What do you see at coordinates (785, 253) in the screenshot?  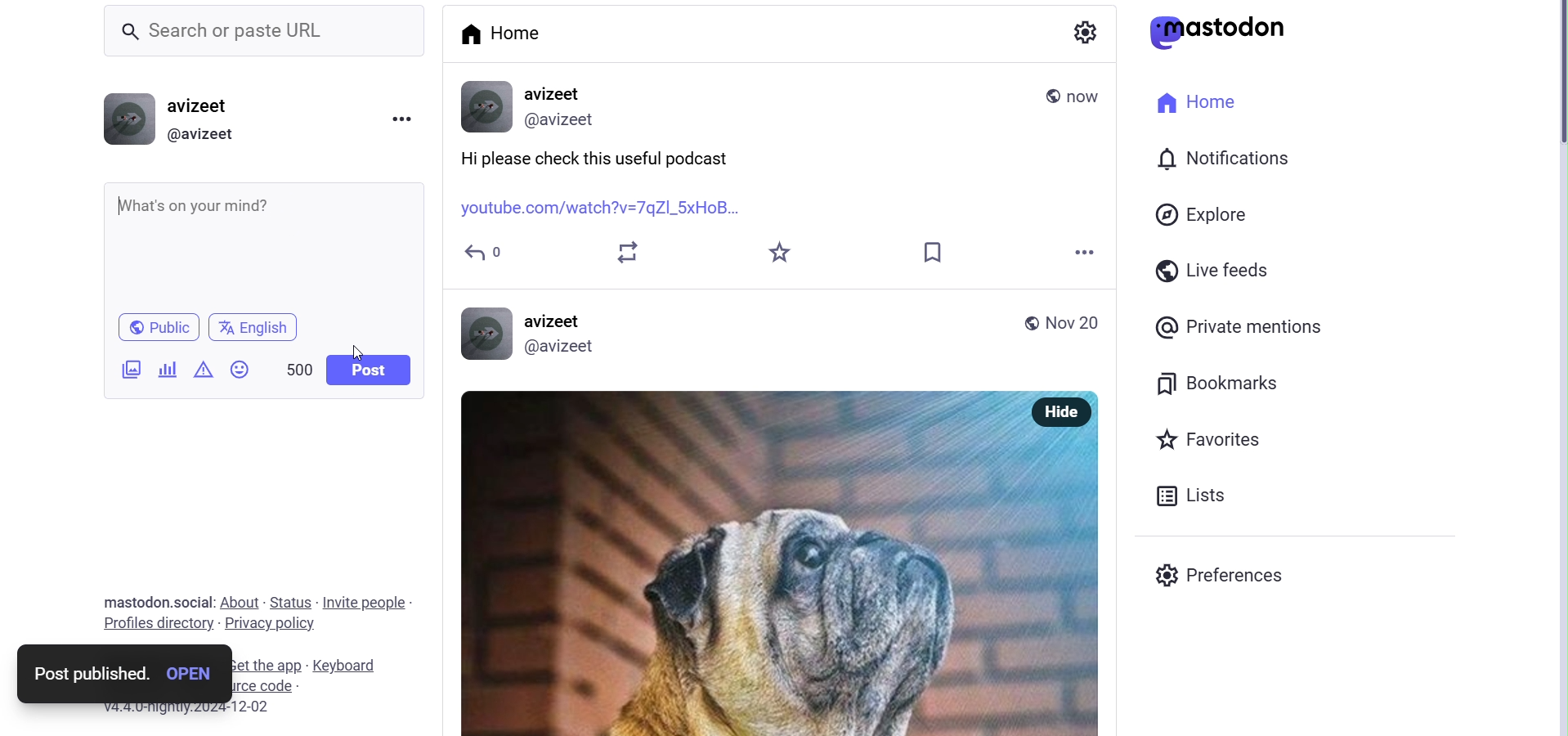 I see `favorite` at bounding box center [785, 253].